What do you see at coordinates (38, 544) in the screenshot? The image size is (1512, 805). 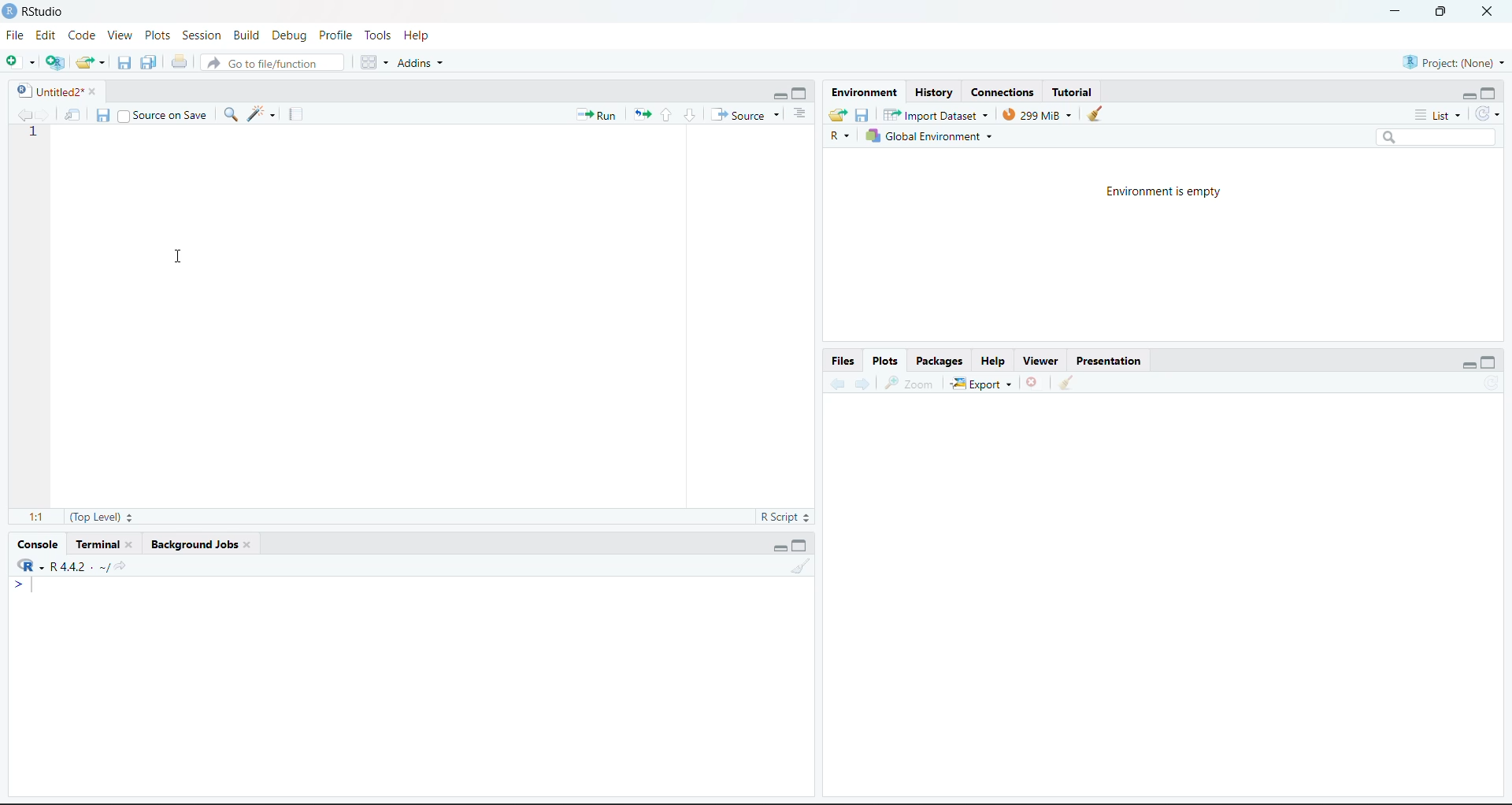 I see `Console` at bounding box center [38, 544].